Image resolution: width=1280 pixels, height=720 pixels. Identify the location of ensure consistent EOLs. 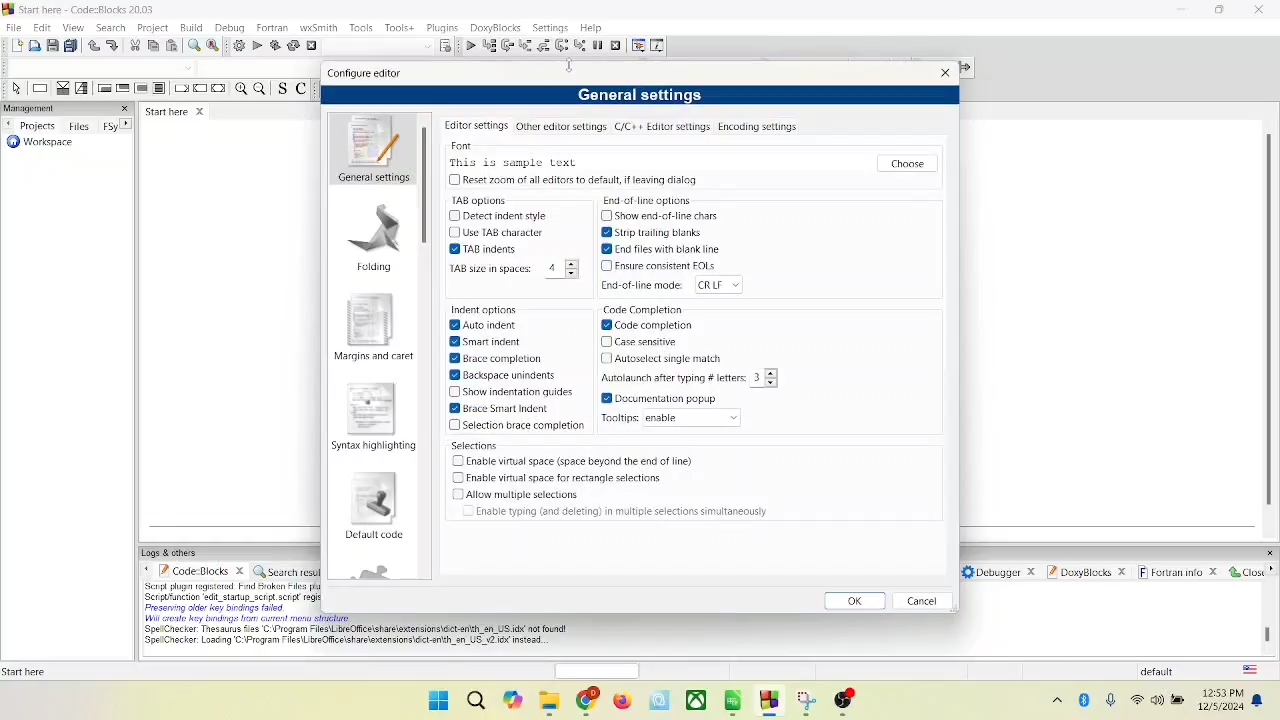
(660, 265).